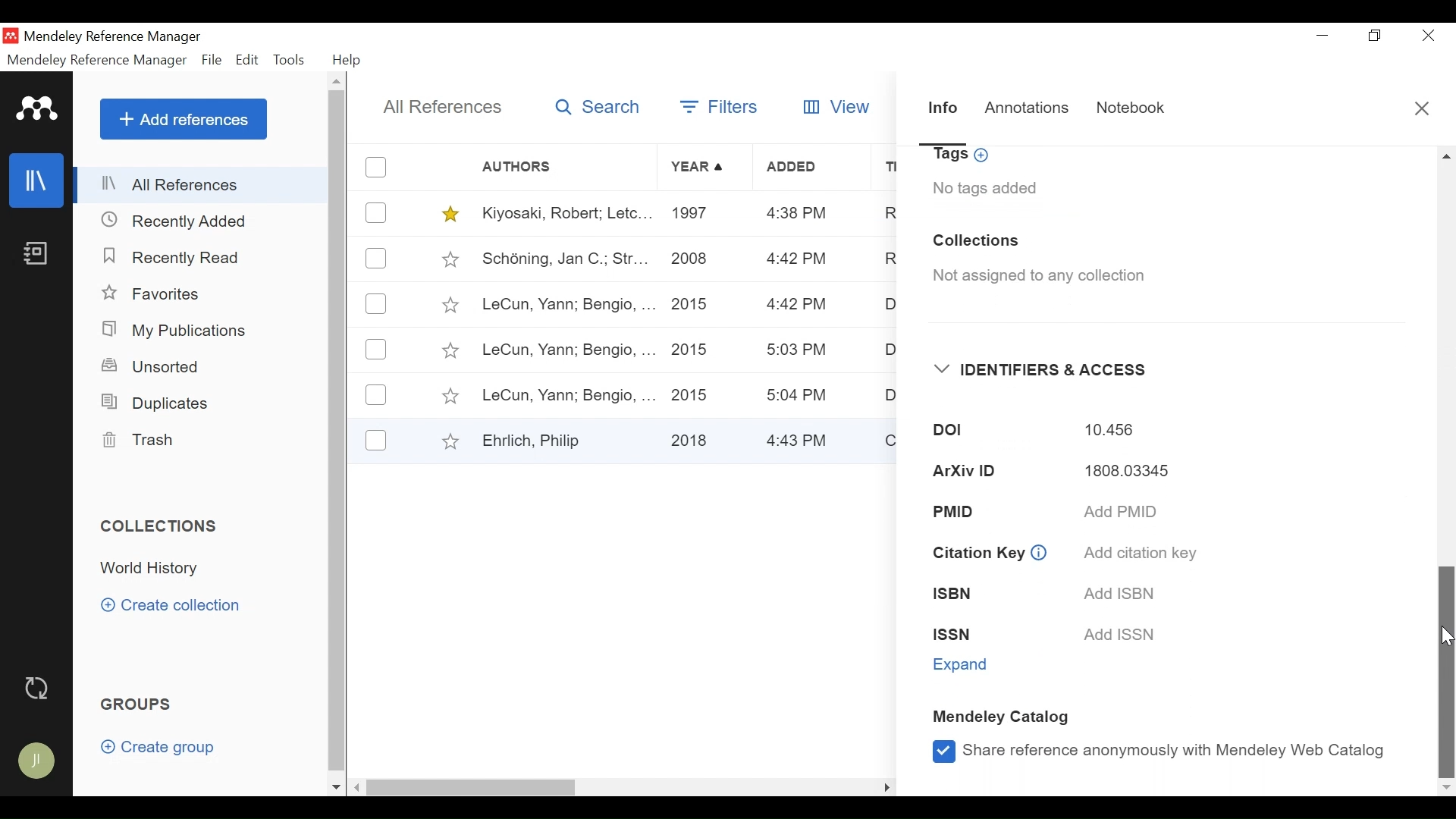 This screenshot has width=1456, height=819. Describe the element at coordinates (152, 403) in the screenshot. I see `Duplicates` at that location.